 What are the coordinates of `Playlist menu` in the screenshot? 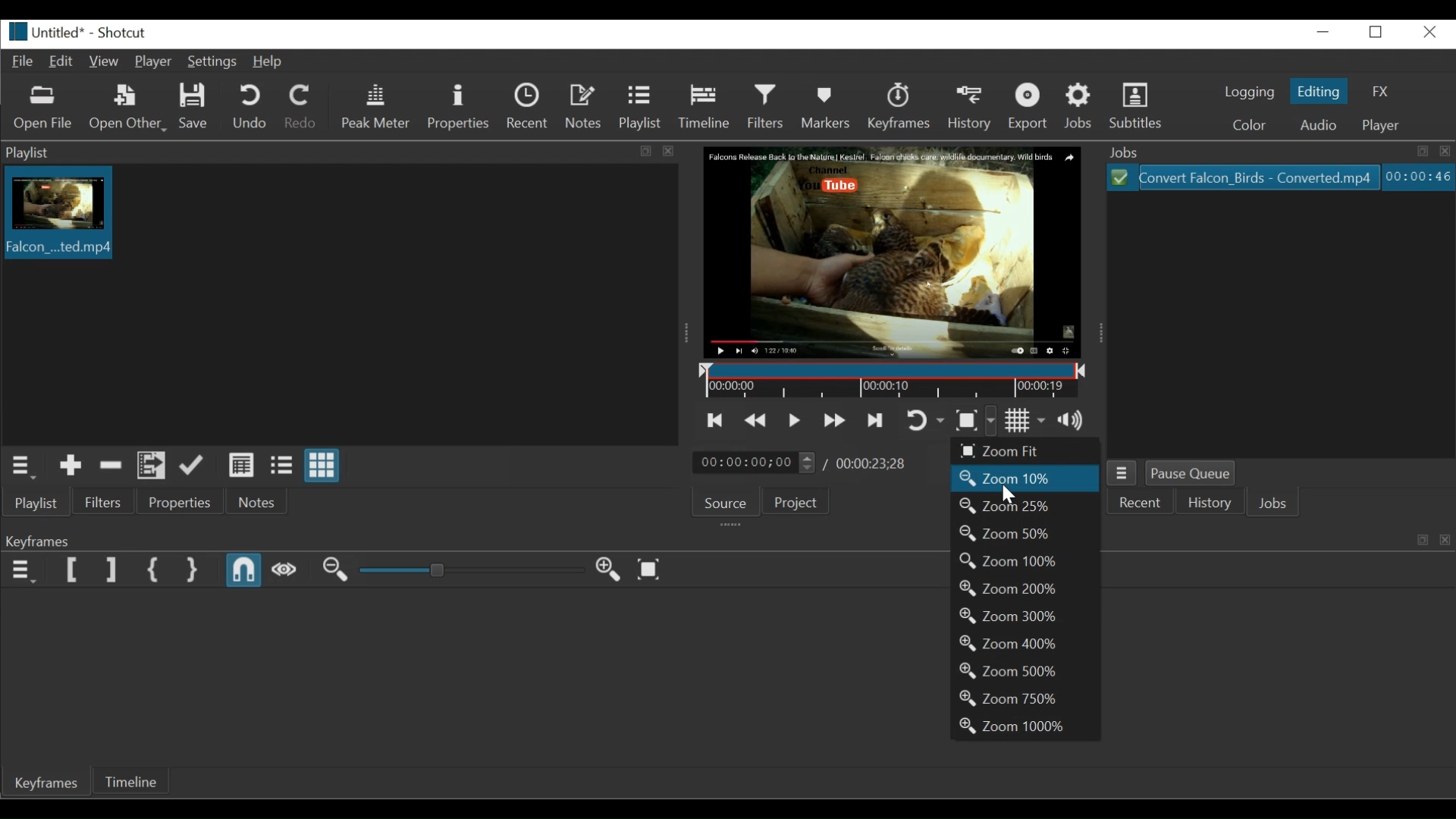 It's located at (24, 468).